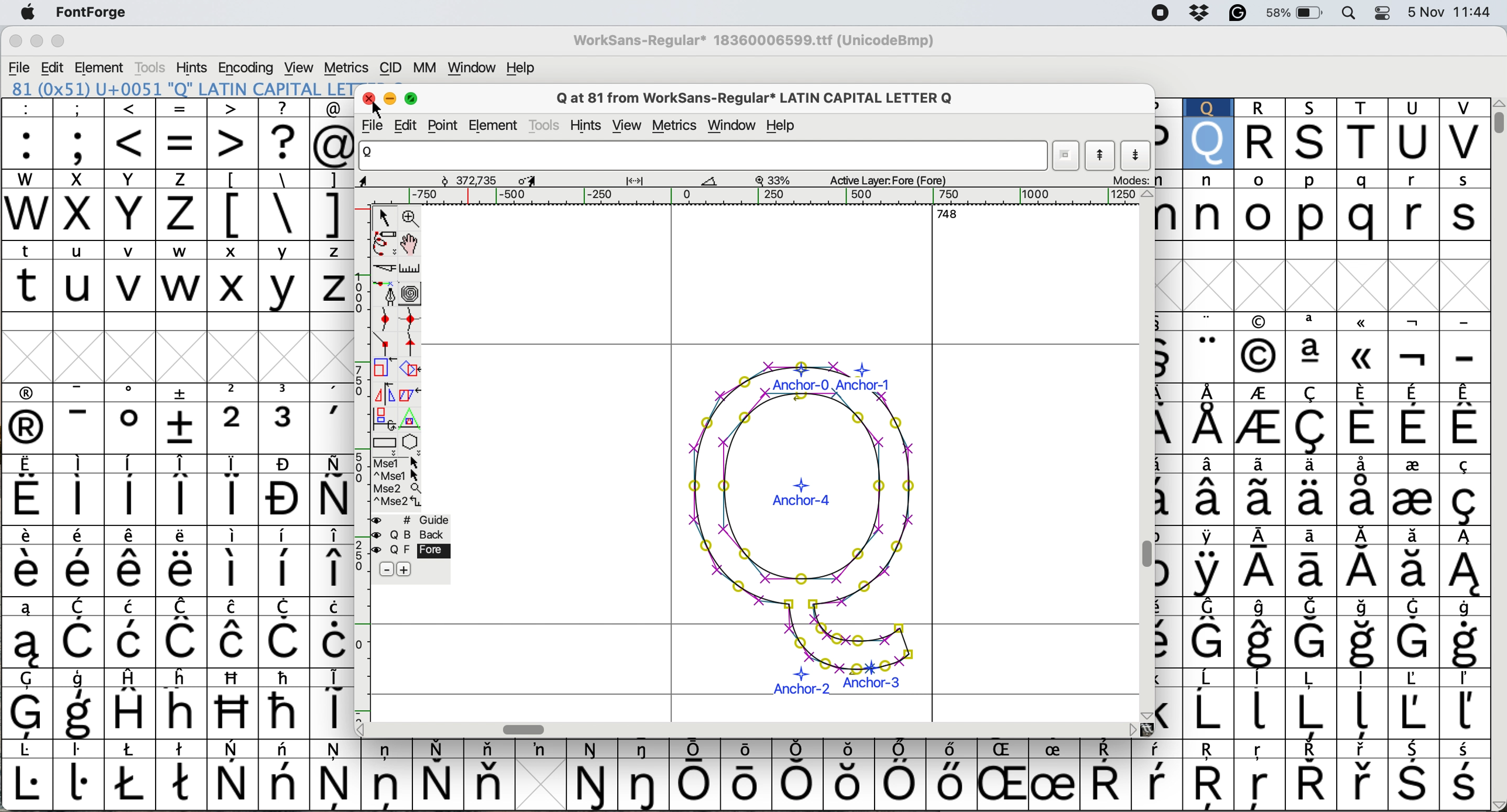 Image resolution: width=1507 pixels, height=812 pixels. What do you see at coordinates (347, 67) in the screenshot?
I see `metrics` at bounding box center [347, 67].